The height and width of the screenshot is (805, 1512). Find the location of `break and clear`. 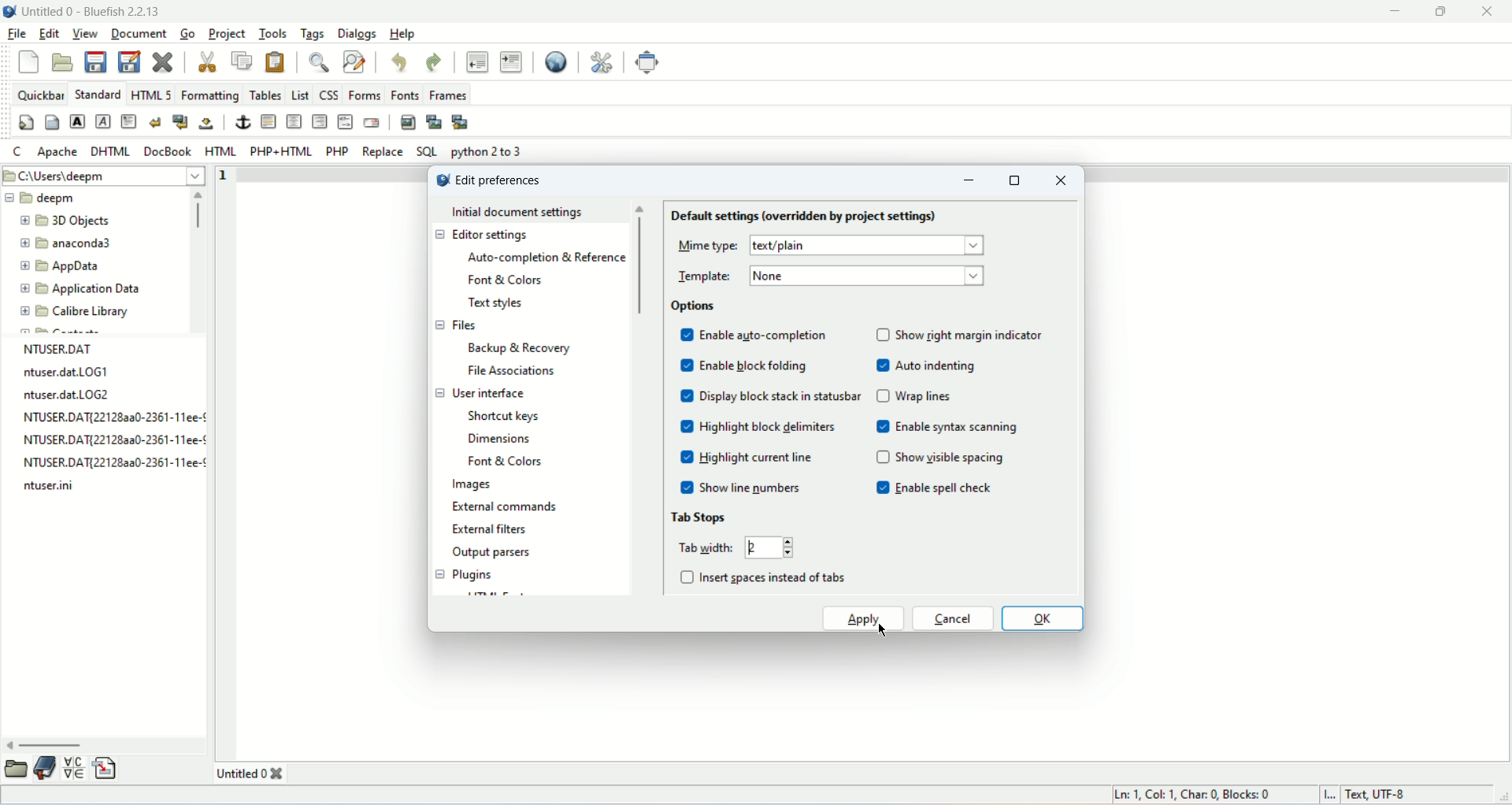

break and clear is located at coordinates (180, 122).